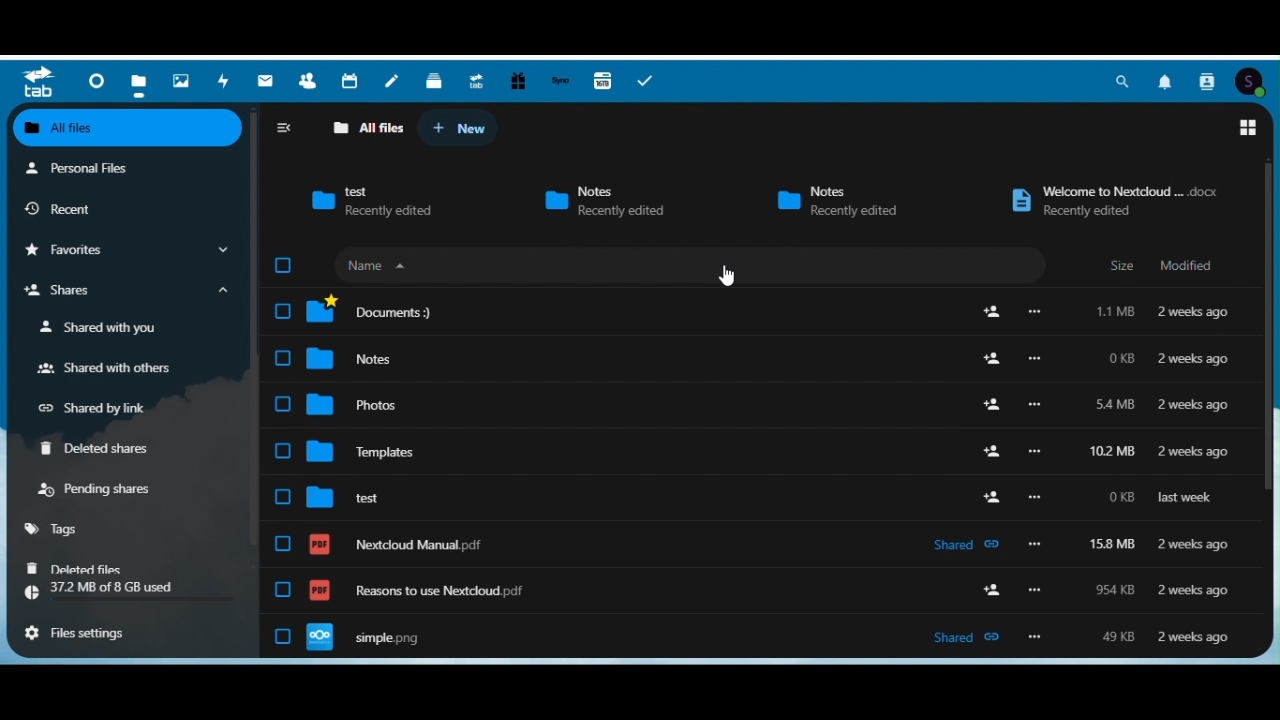  I want to click on Personal files, so click(90, 166).